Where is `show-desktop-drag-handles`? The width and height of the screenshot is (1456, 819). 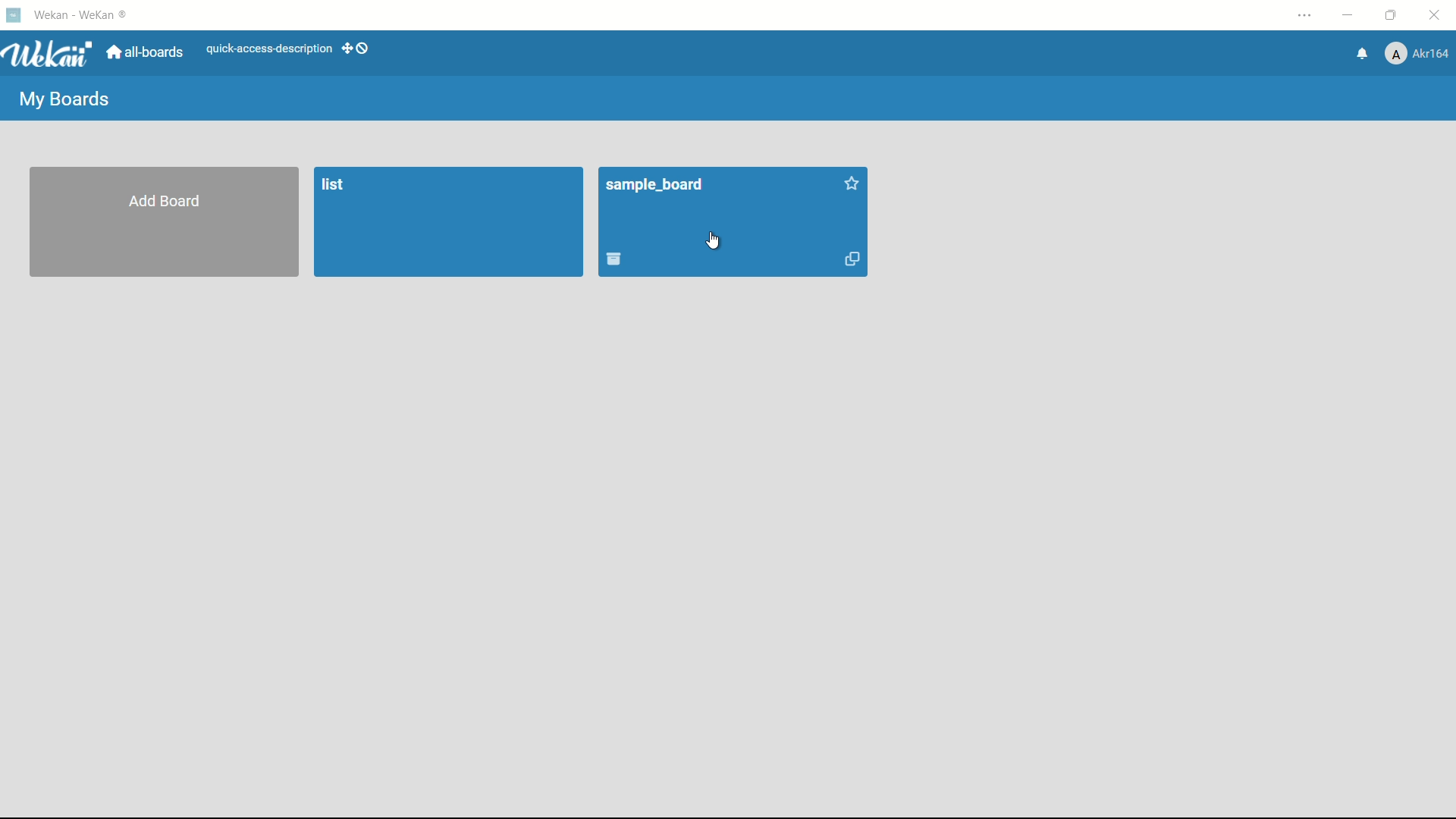
show-desktop-drag-handles is located at coordinates (359, 49).